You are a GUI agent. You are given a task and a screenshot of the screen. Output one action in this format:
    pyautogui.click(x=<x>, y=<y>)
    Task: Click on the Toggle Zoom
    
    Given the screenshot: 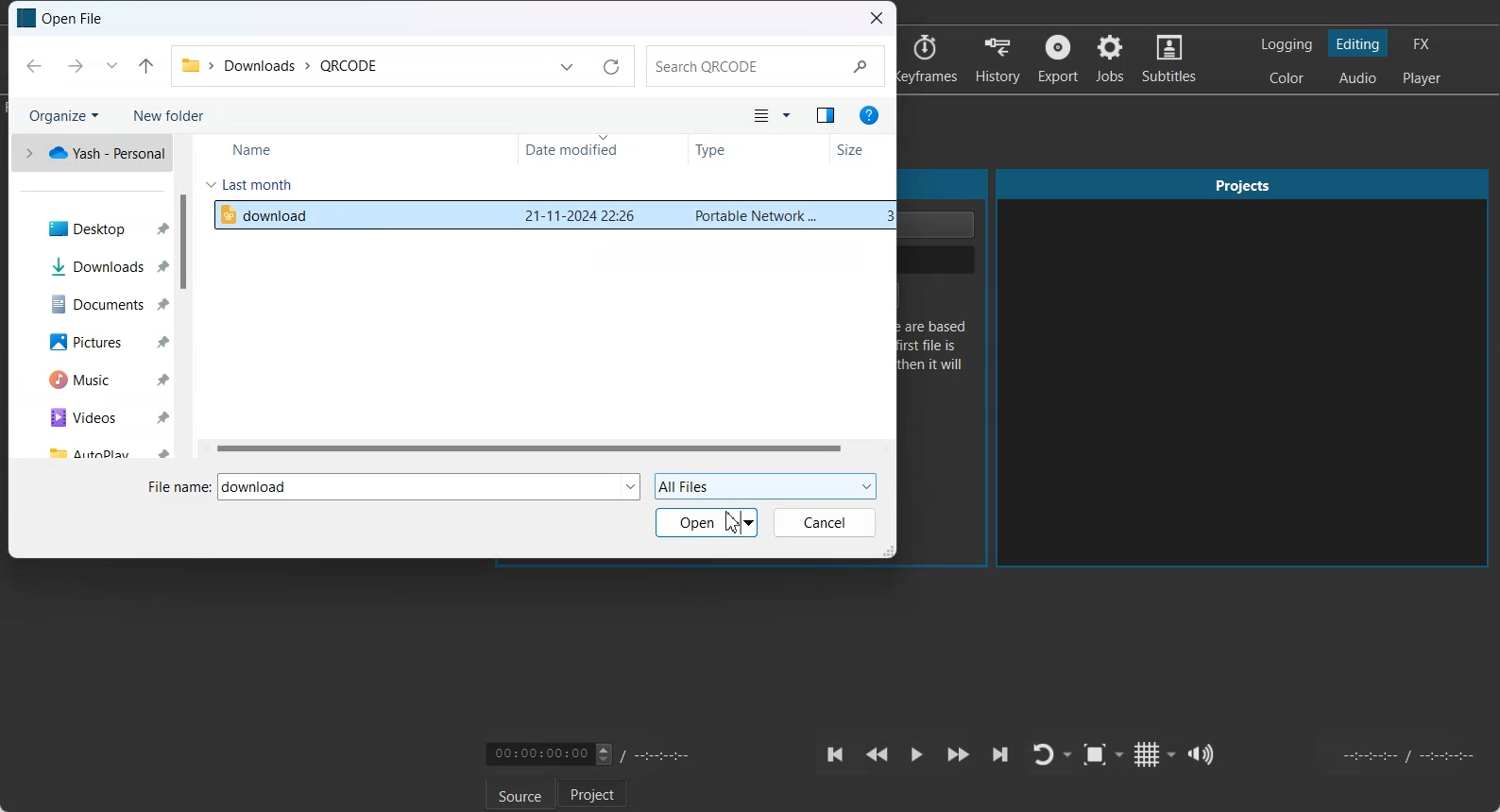 What is the action you would take?
    pyautogui.click(x=1097, y=755)
    